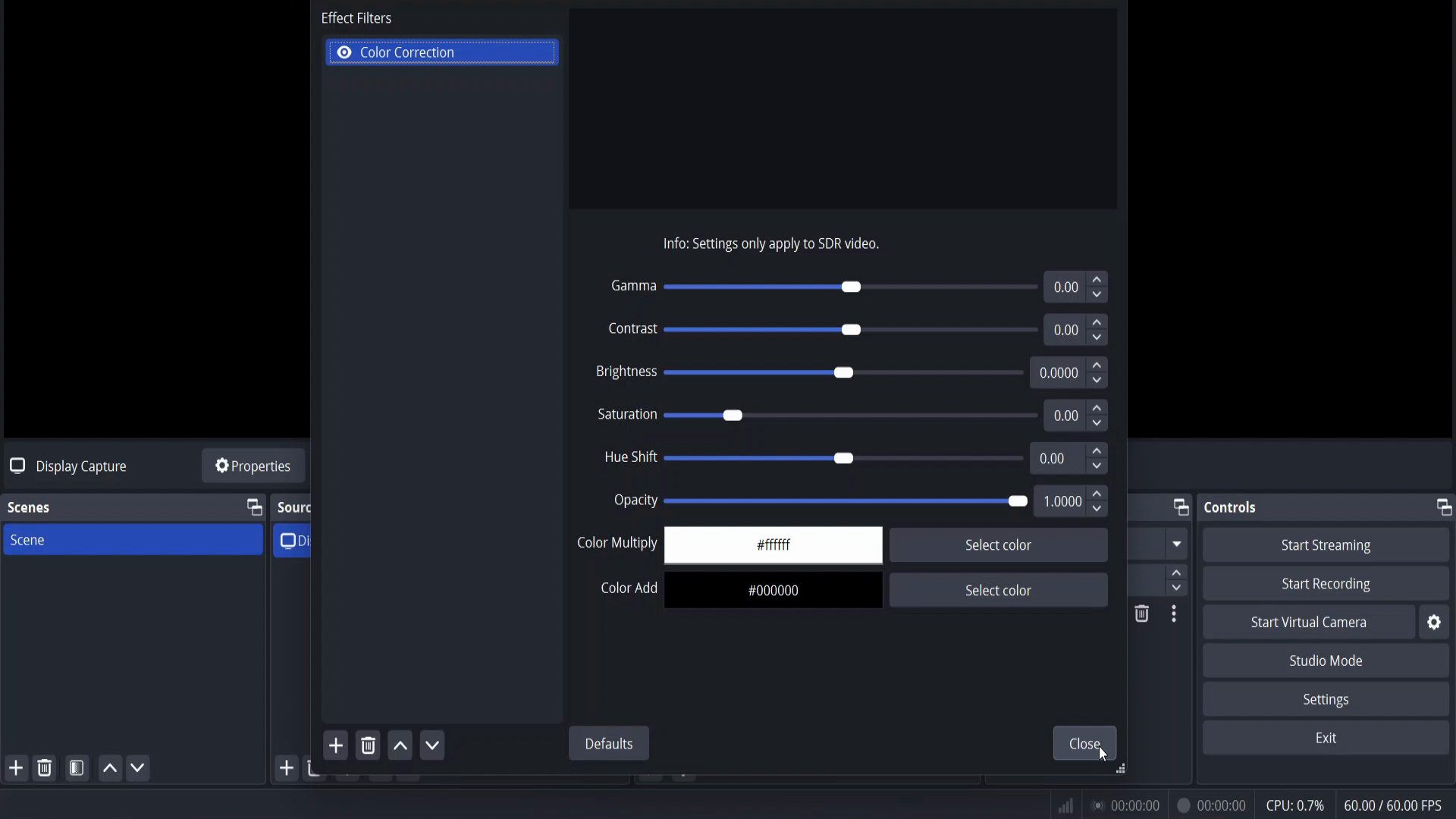 This screenshot has width=1456, height=819. Describe the element at coordinates (617, 543) in the screenshot. I see `Color Multiply` at that location.